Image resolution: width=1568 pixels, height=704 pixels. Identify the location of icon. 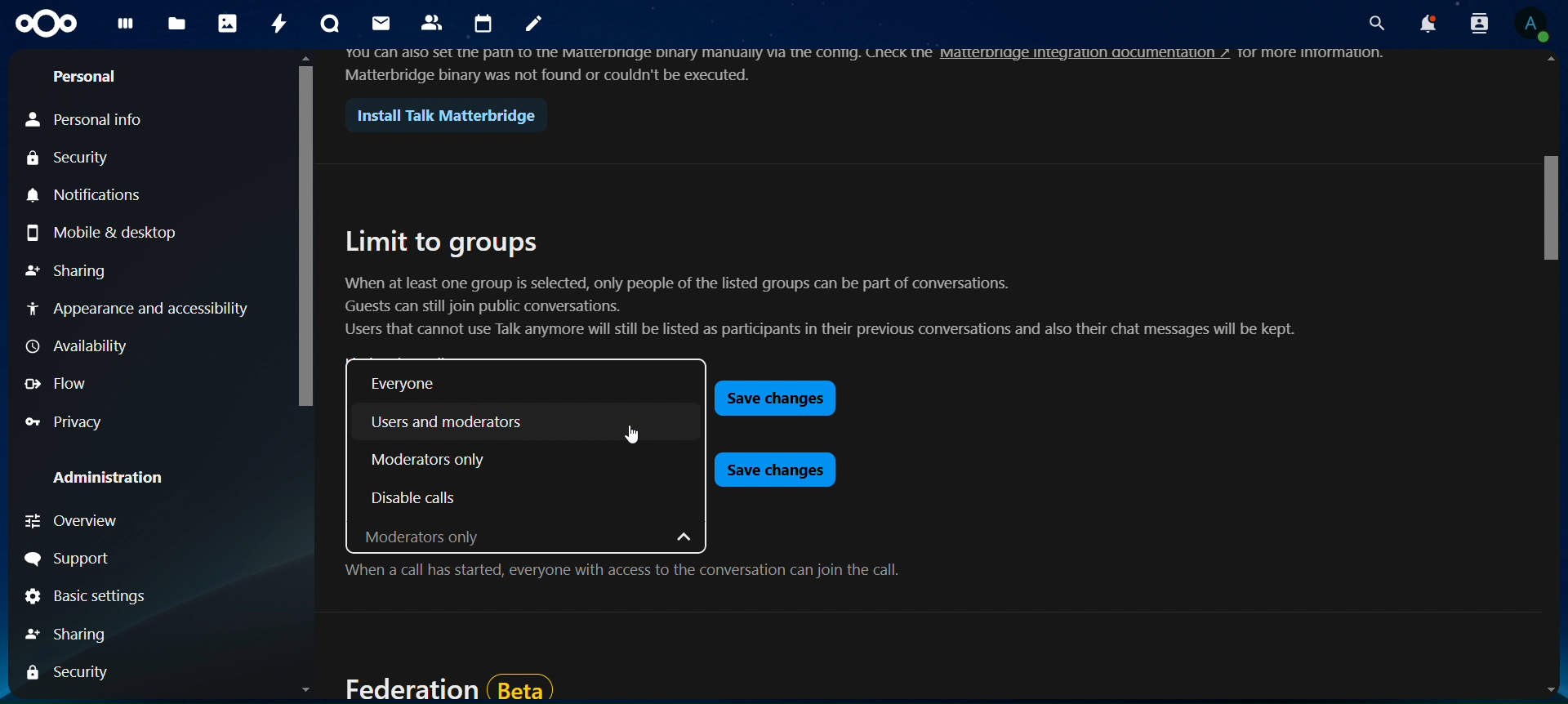
(48, 24).